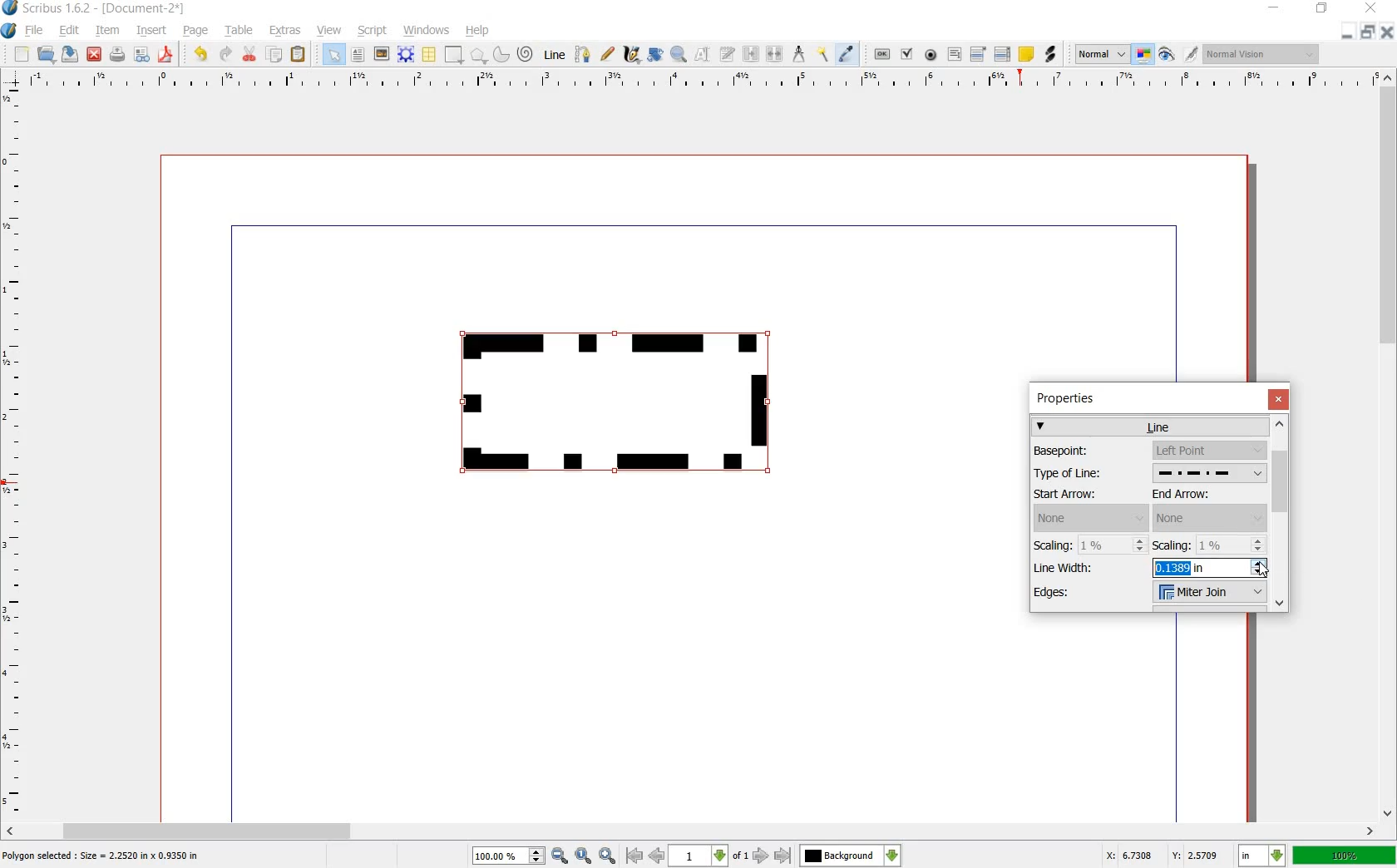 The width and height of the screenshot is (1397, 868). Describe the element at coordinates (117, 55) in the screenshot. I see `PRINT` at that location.